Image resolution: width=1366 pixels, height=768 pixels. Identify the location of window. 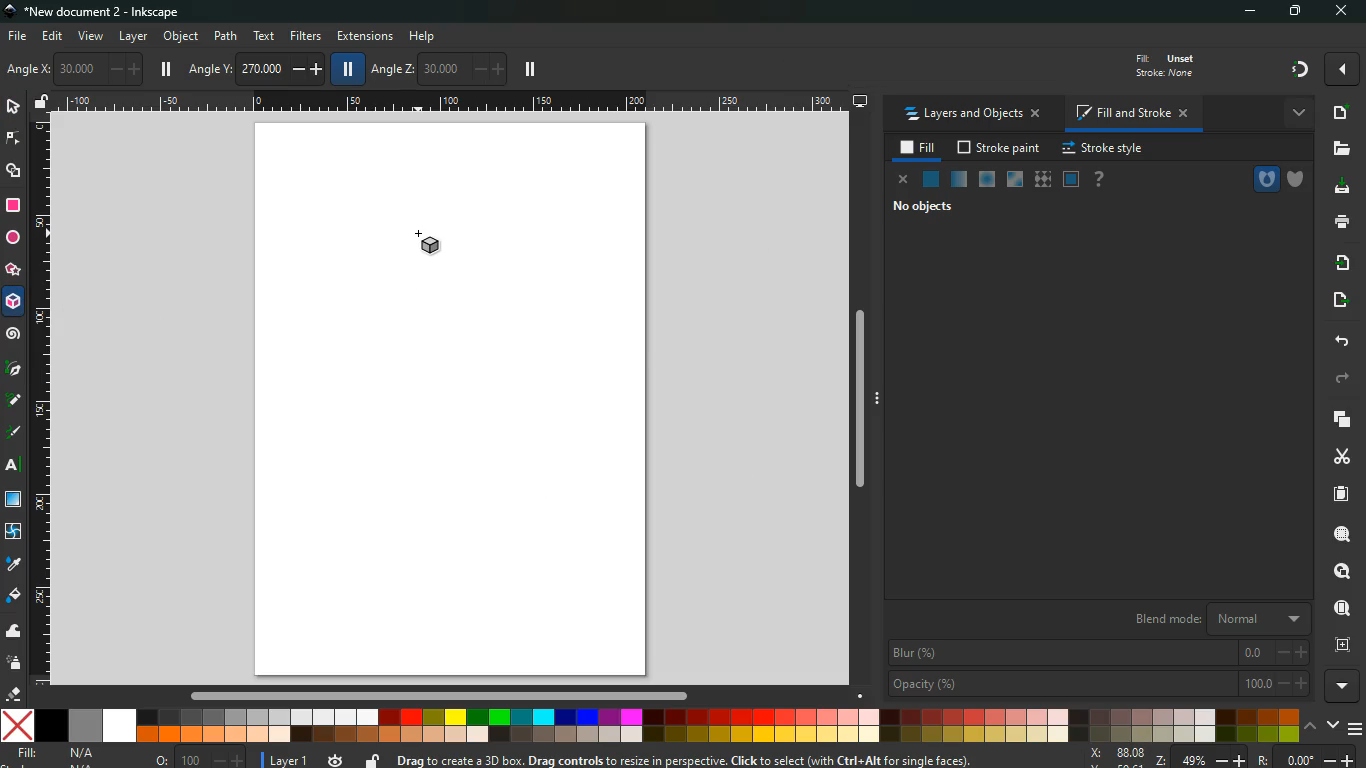
(15, 500).